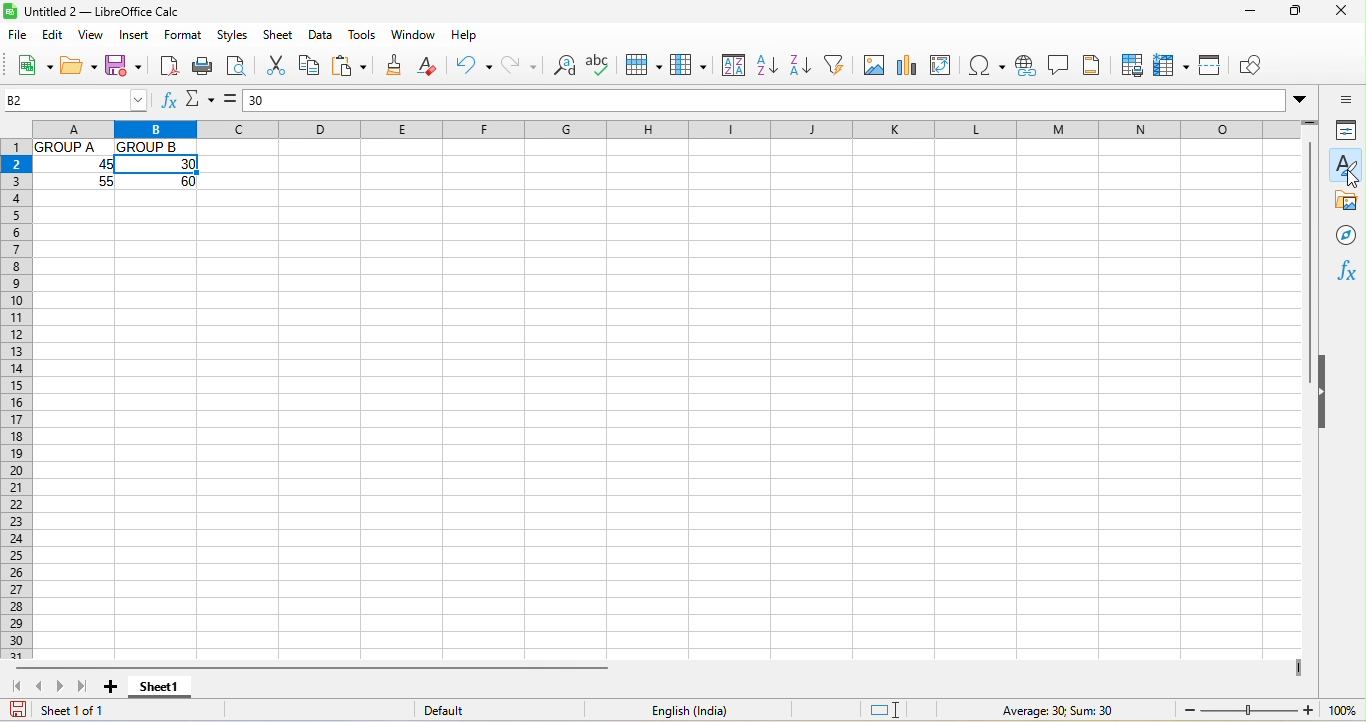  I want to click on average 30 ; sum 30, so click(1049, 711).